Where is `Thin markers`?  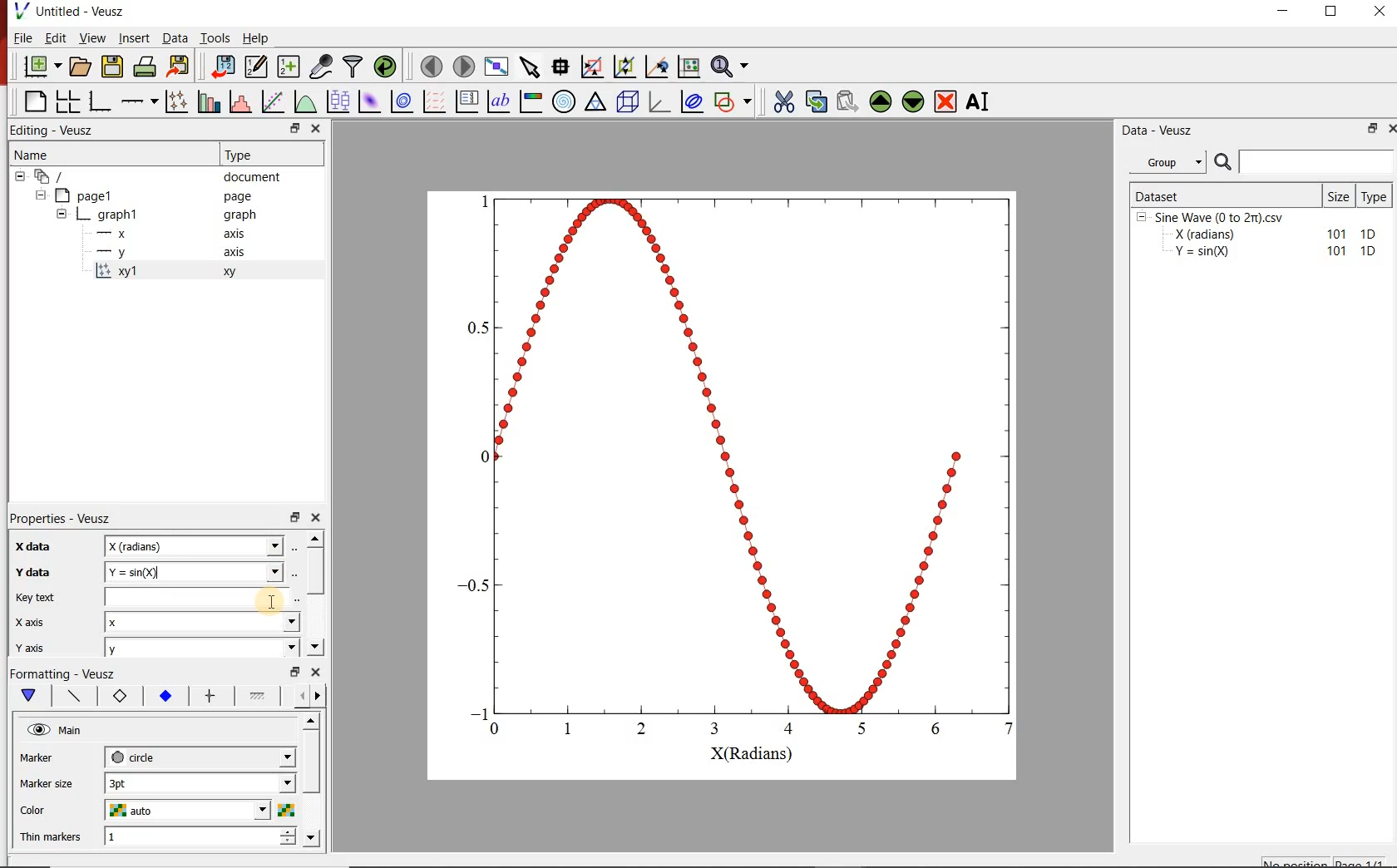
Thin markers is located at coordinates (51, 836).